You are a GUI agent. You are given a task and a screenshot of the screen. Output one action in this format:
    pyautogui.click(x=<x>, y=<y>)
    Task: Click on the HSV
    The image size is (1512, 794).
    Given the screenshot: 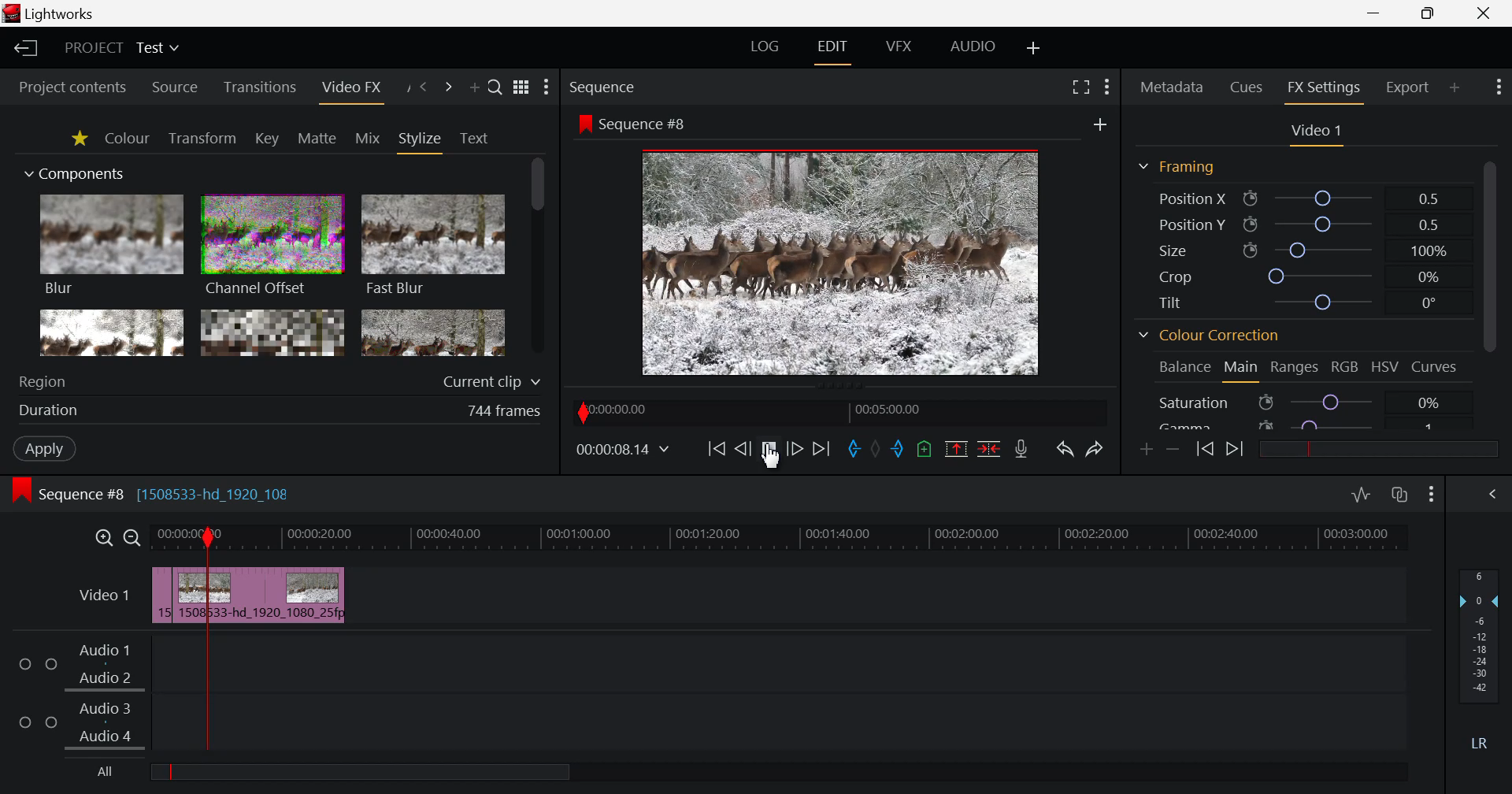 What is the action you would take?
    pyautogui.click(x=1388, y=368)
    